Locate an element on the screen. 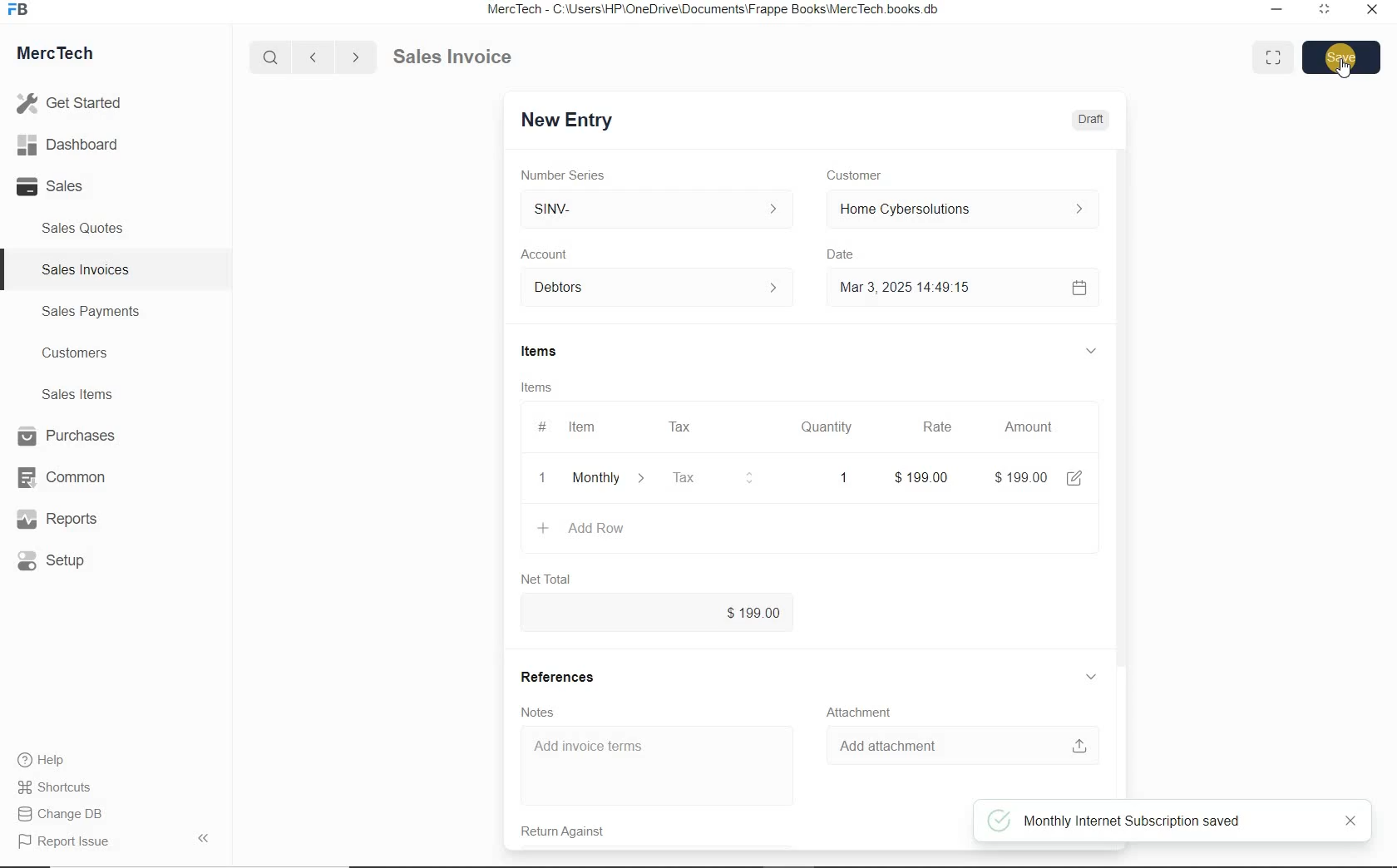 The width and height of the screenshot is (1397, 868). # is located at coordinates (540, 427).